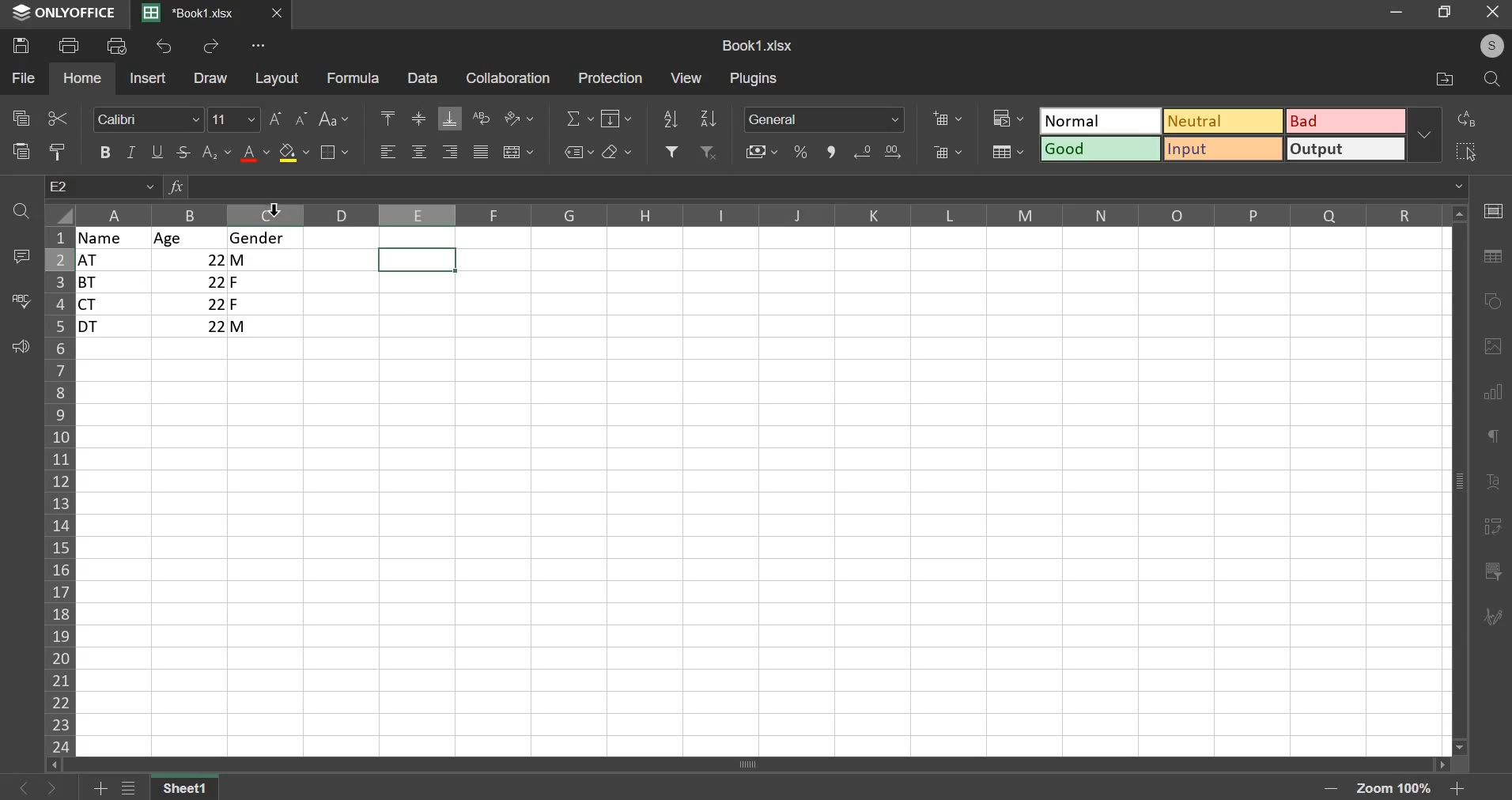  I want to click on cell settings, so click(1493, 210).